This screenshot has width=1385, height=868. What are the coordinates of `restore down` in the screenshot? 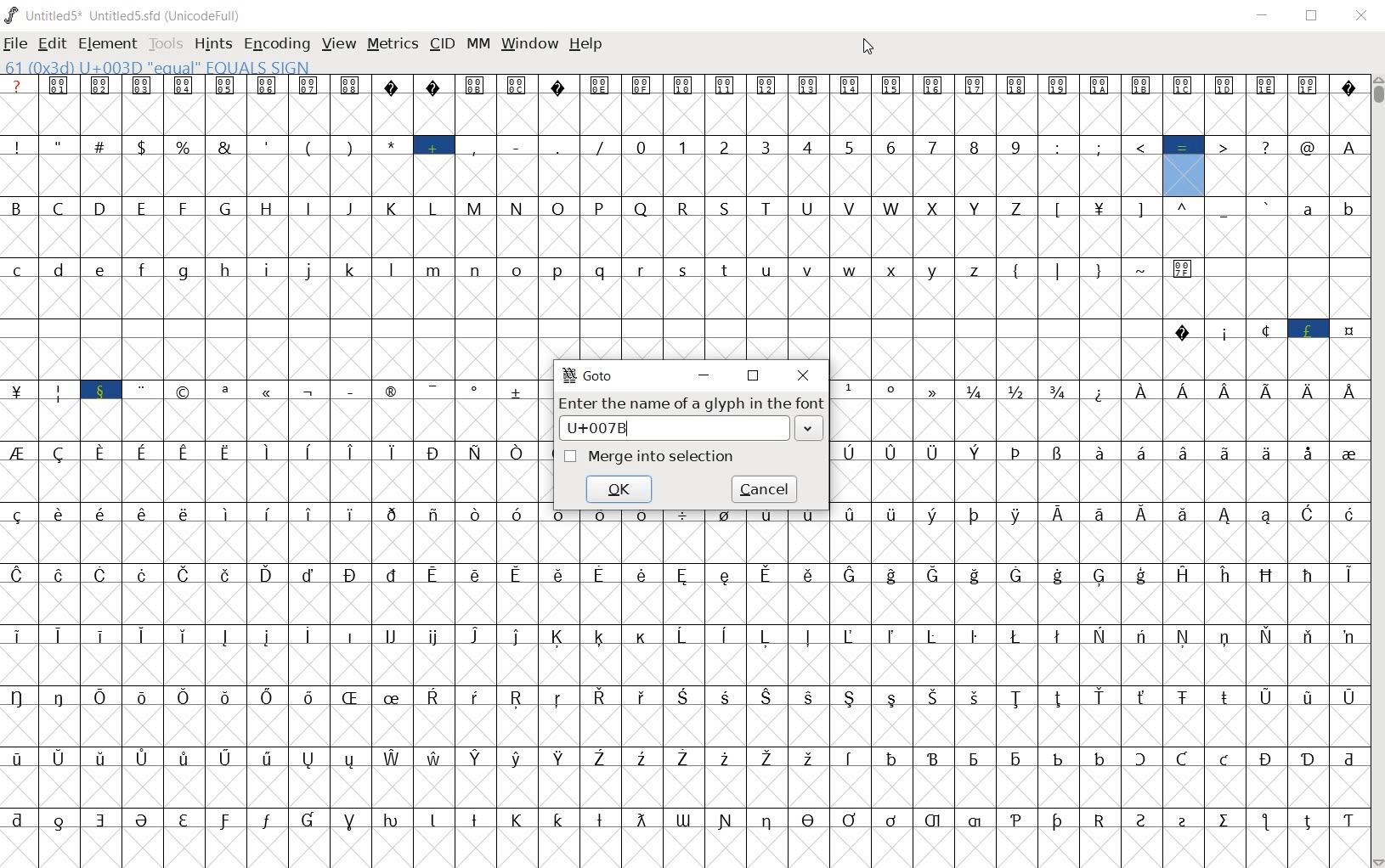 It's located at (755, 377).